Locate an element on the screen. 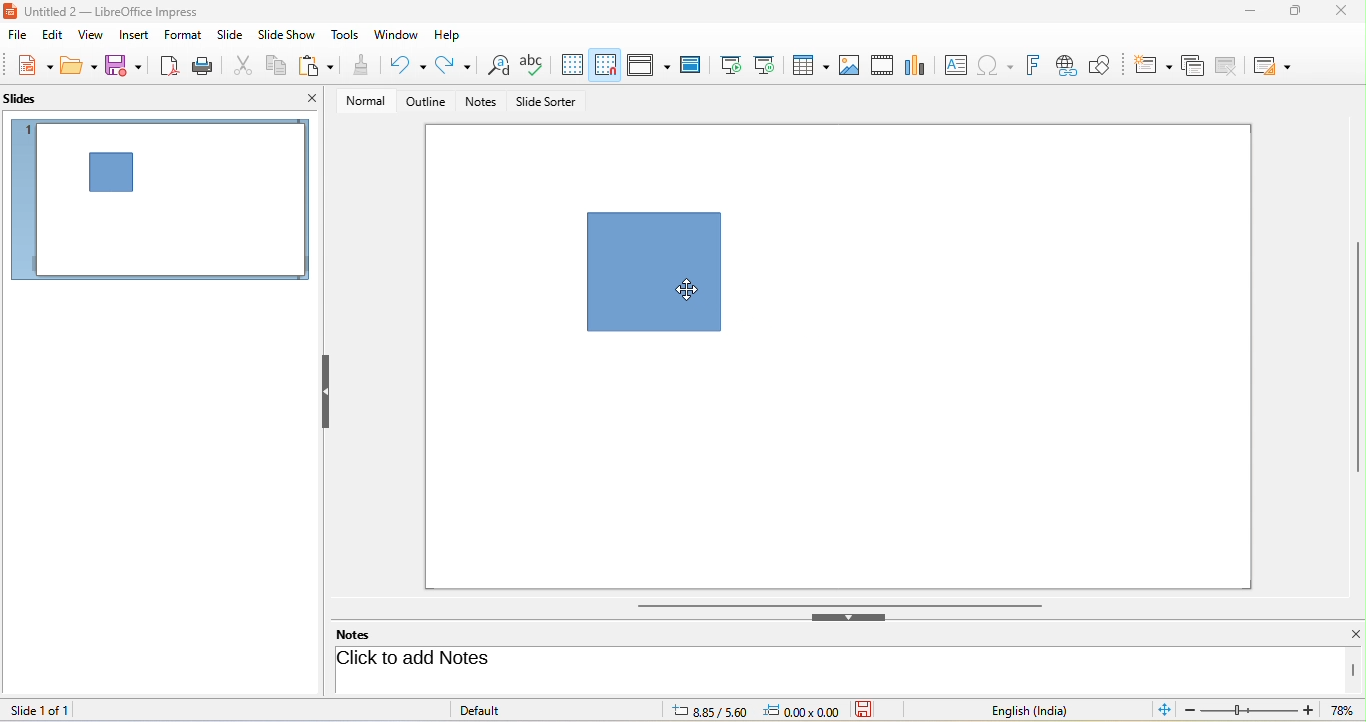 Image resolution: width=1366 pixels, height=722 pixels. master slide is located at coordinates (695, 65).